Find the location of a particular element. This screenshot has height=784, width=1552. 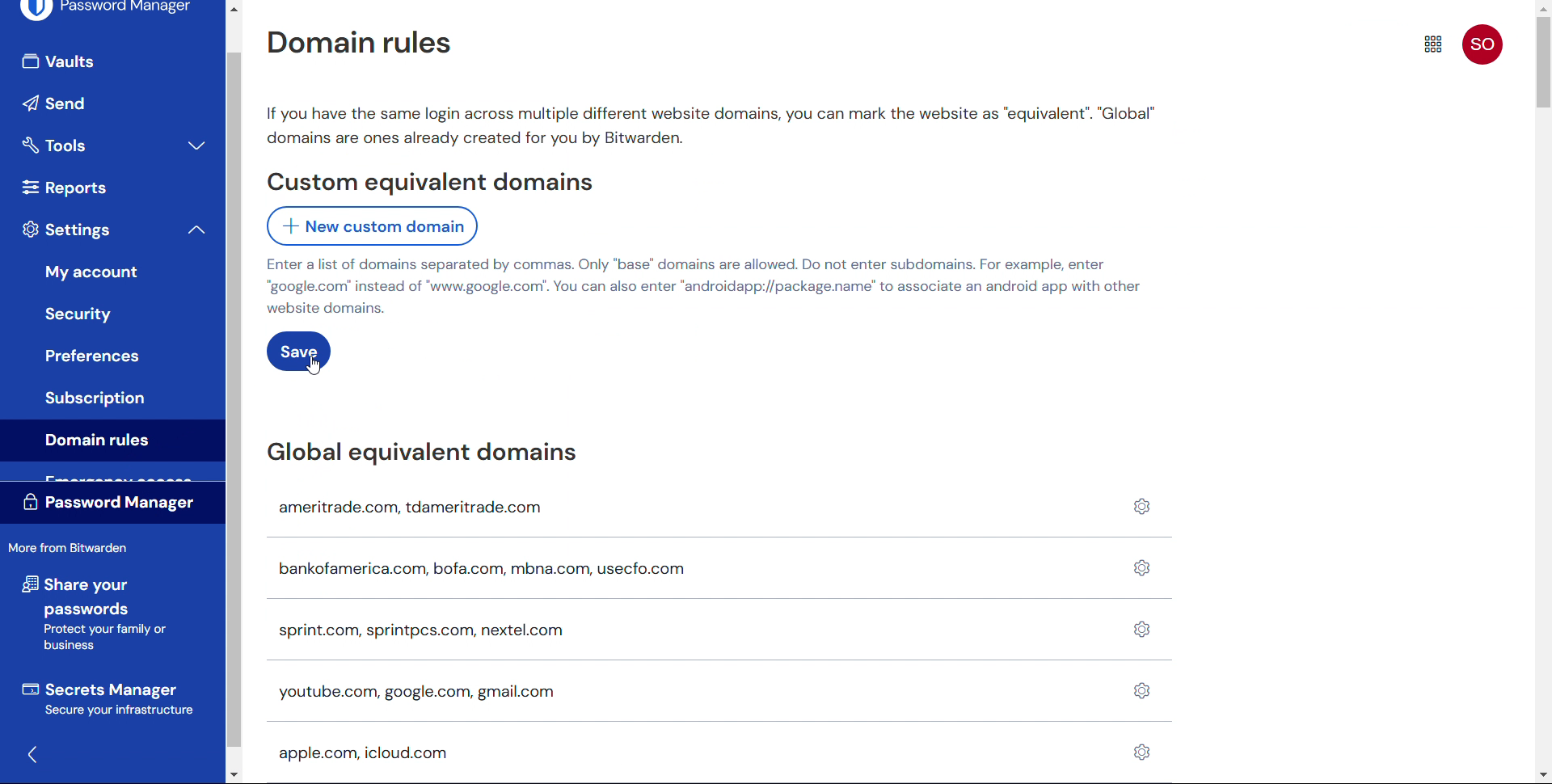

Custom equivalent domains  is located at coordinates (429, 183).